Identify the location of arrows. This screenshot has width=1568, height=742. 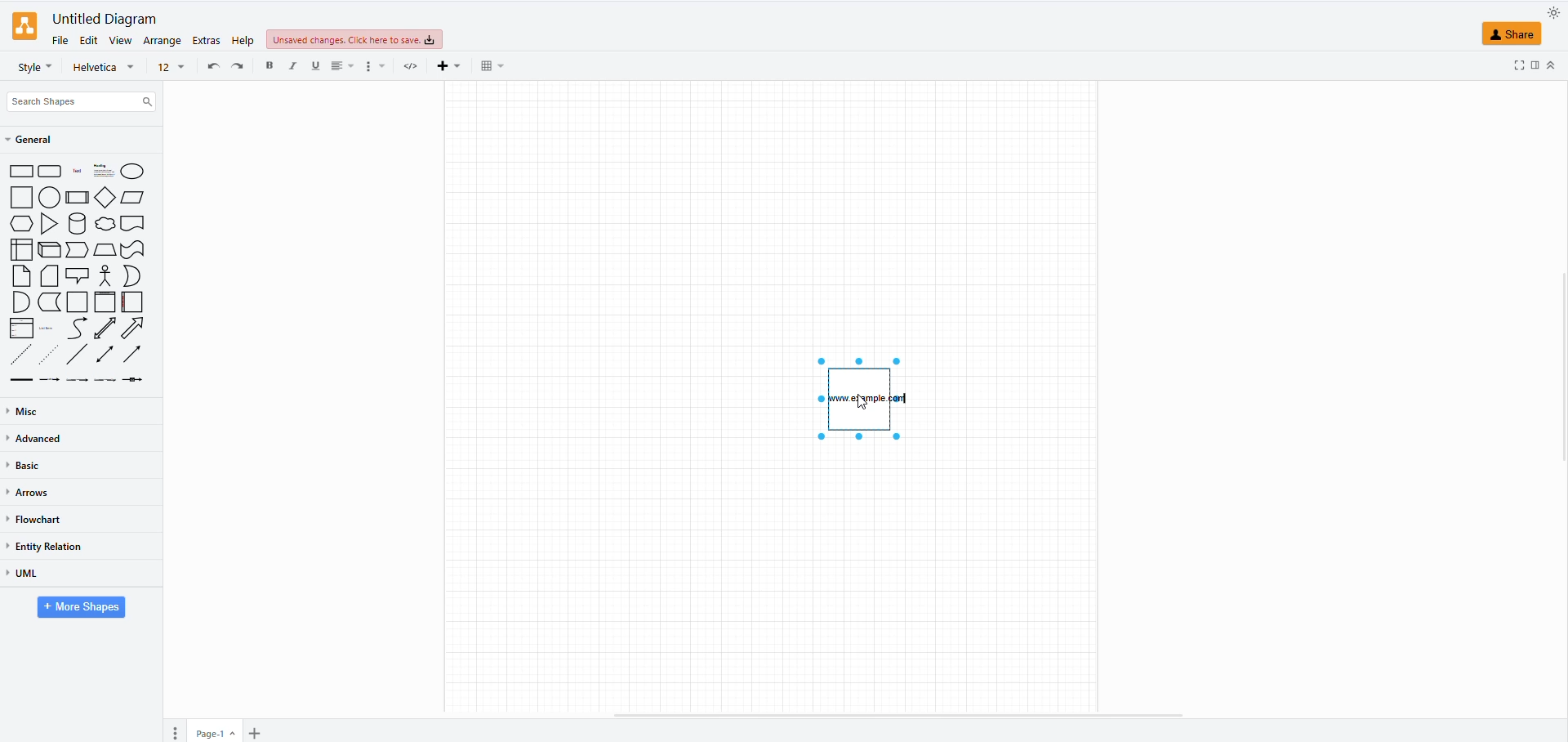
(29, 494).